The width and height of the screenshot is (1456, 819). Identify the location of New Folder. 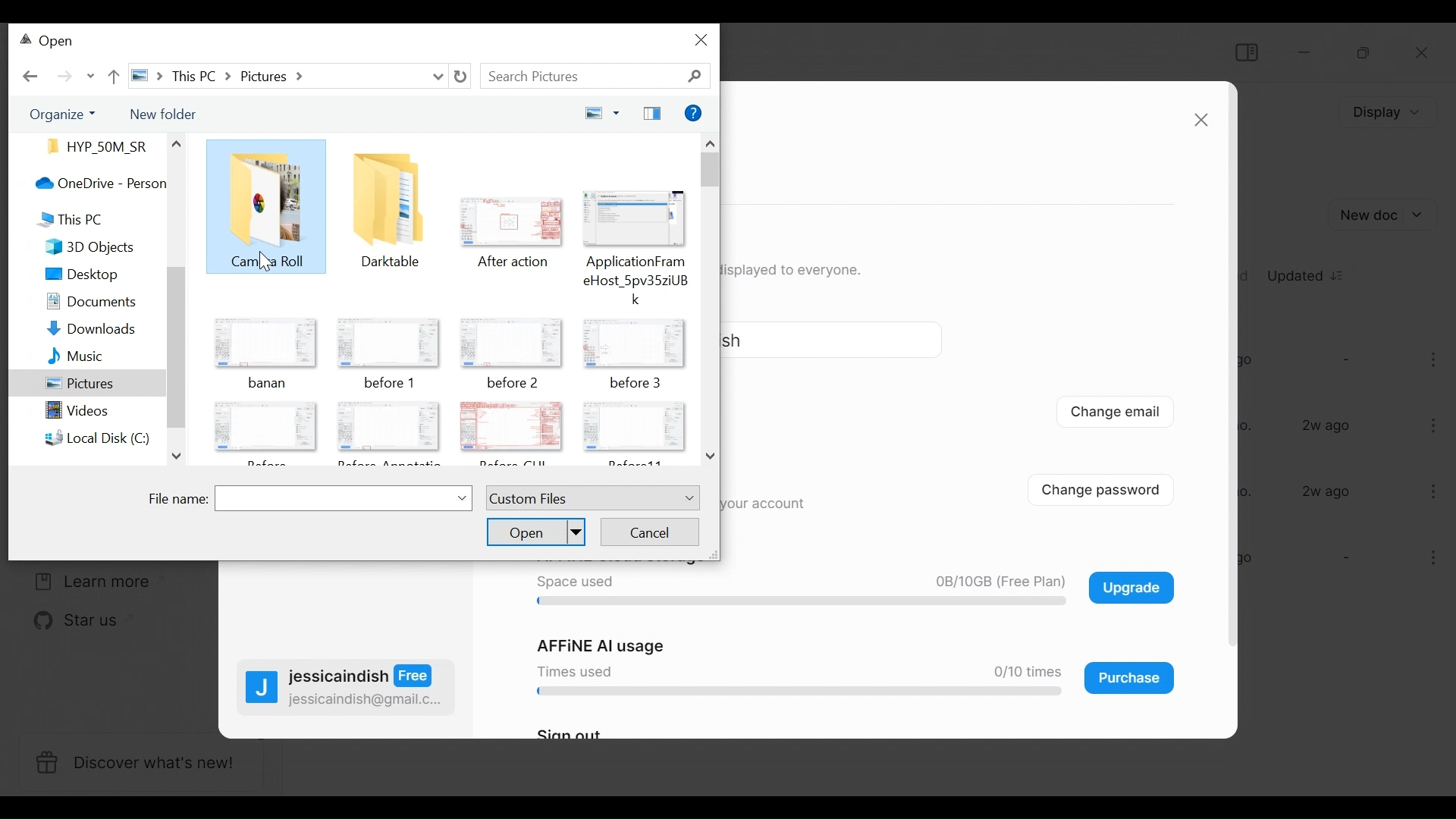
(161, 112).